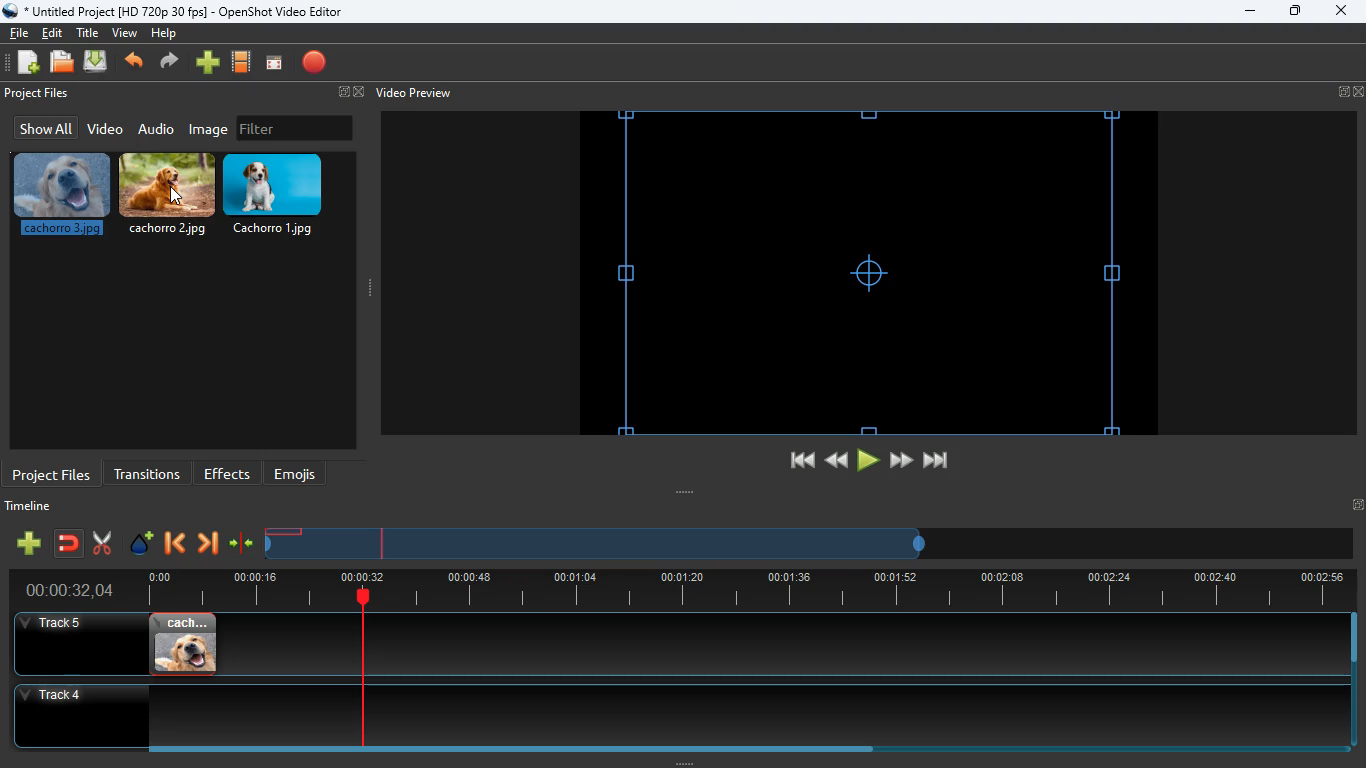  I want to click on time, so click(61, 590).